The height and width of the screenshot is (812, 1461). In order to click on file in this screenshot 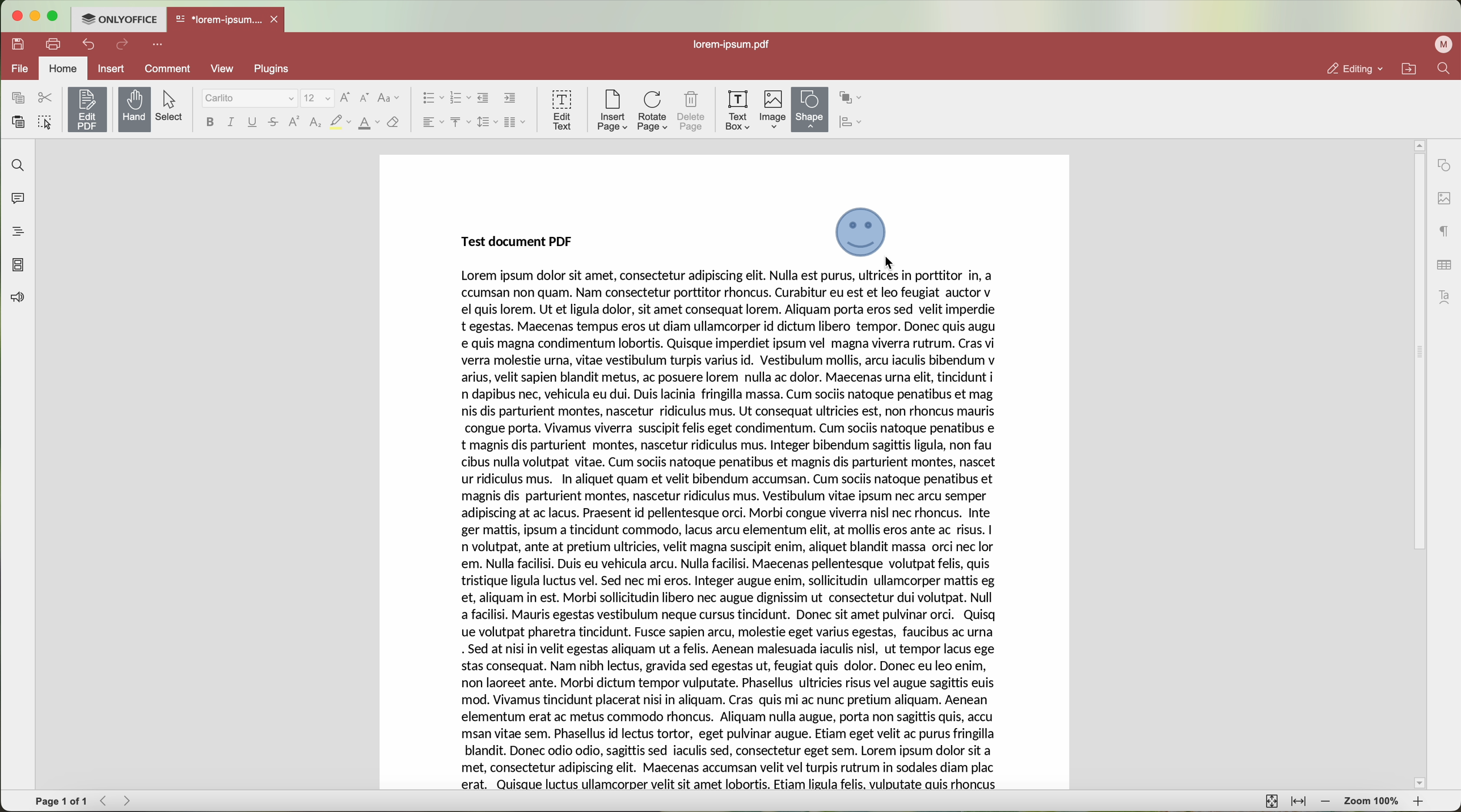, I will do `click(19, 68)`.